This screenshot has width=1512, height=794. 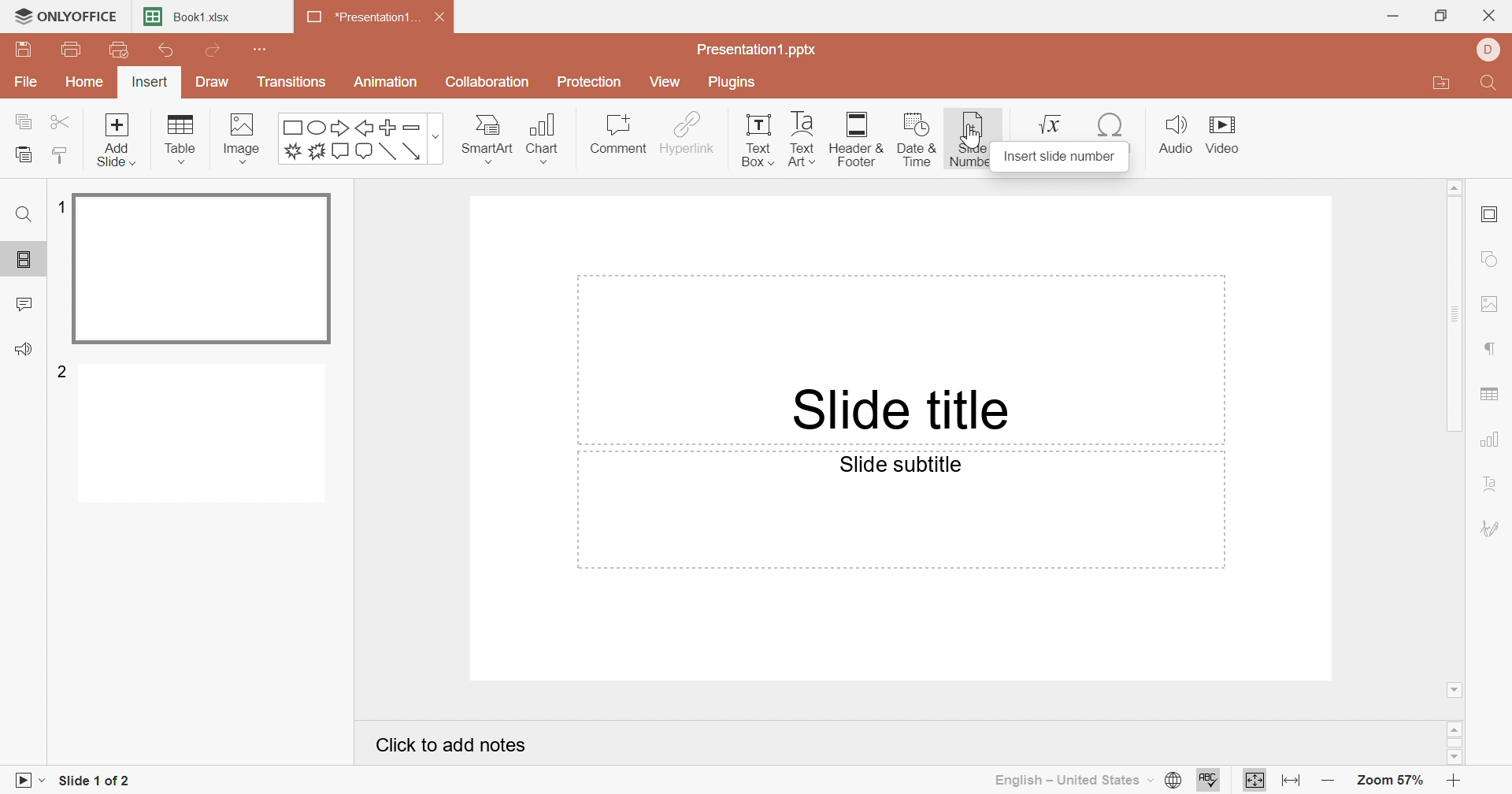 I want to click on Slides, so click(x=27, y=260).